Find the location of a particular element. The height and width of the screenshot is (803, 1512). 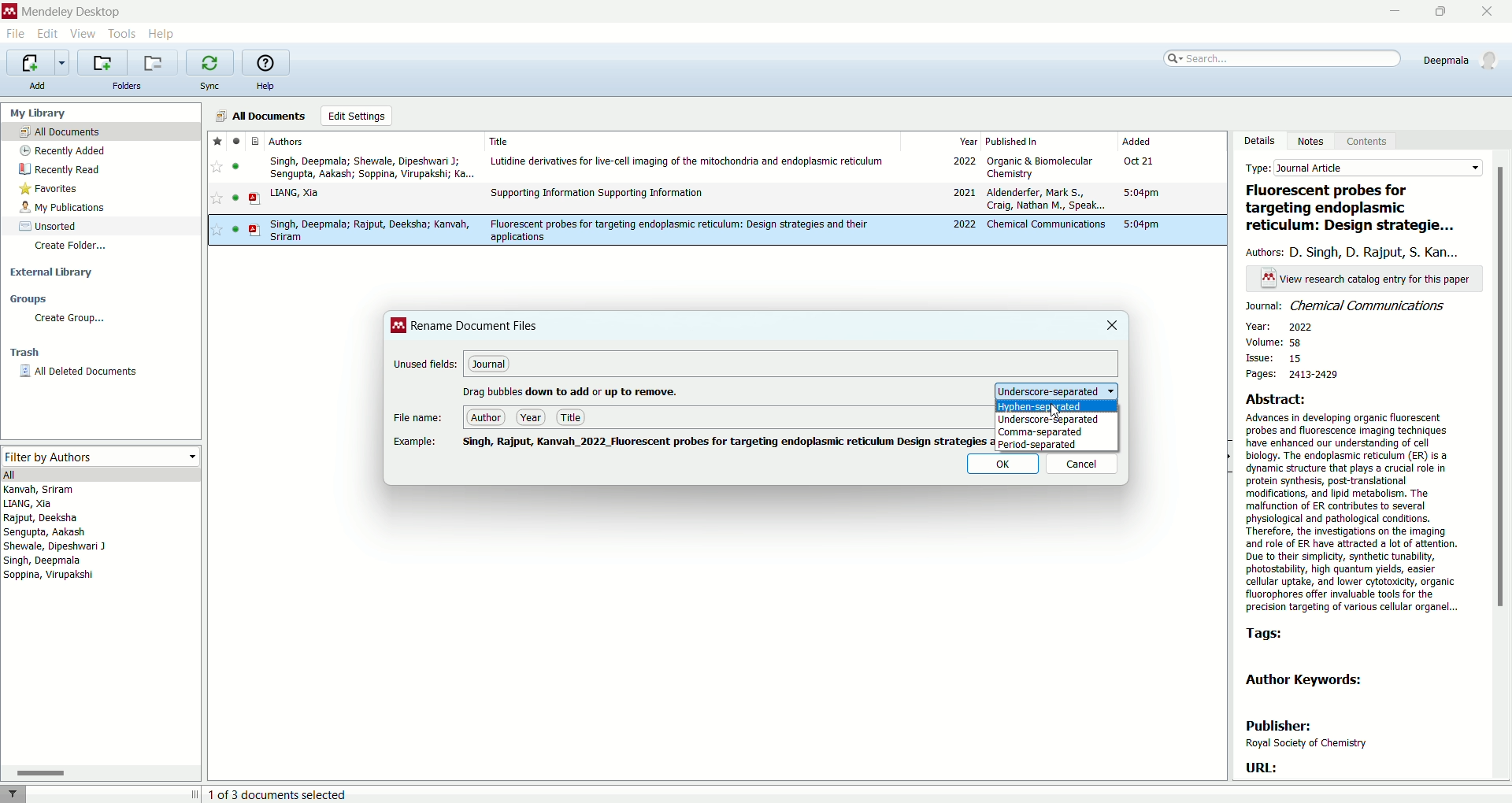

filter is located at coordinates (14, 792).